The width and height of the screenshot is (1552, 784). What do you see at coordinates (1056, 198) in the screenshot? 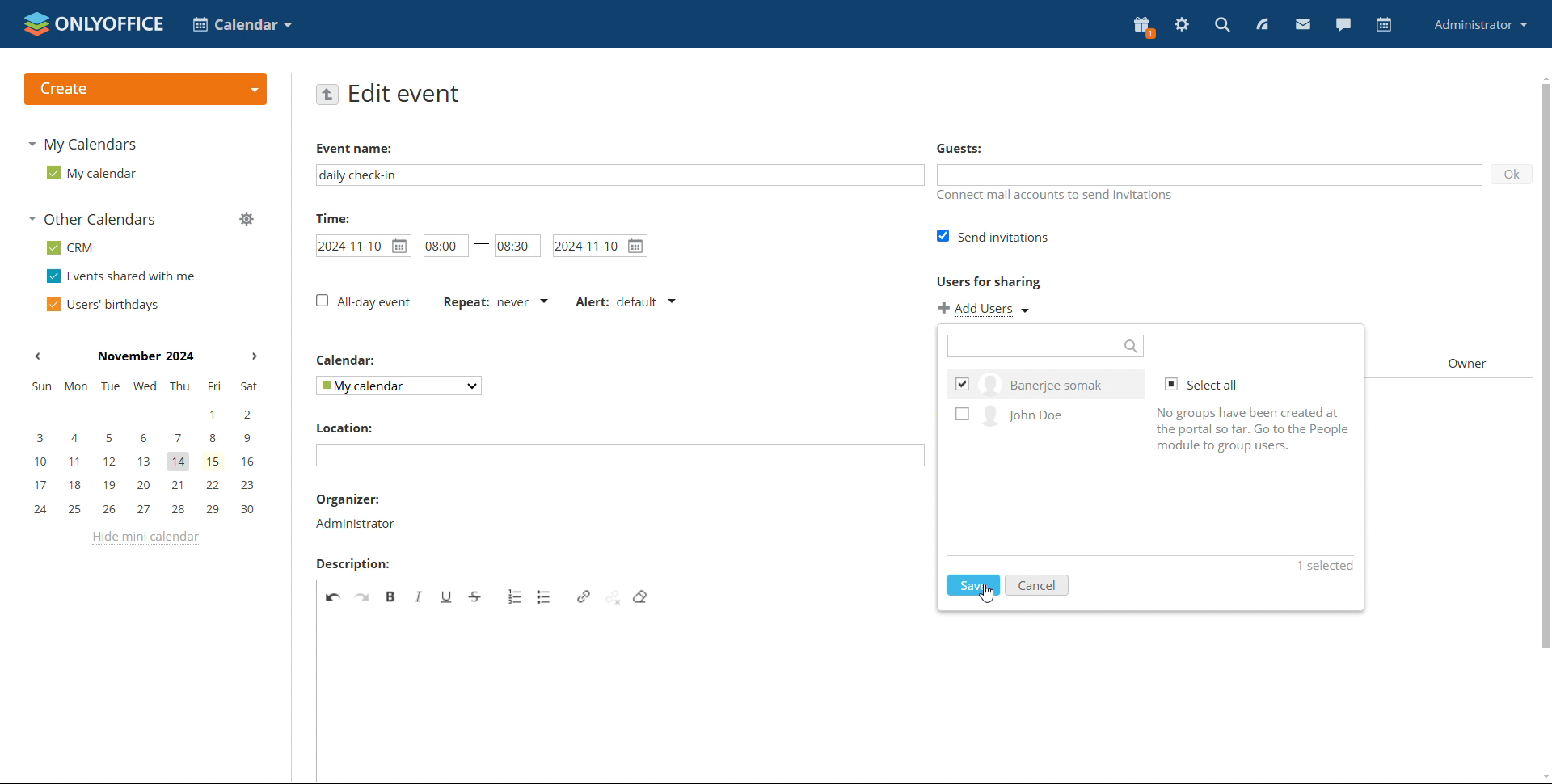
I see `connect mail accounts` at bounding box center [1056, 198].